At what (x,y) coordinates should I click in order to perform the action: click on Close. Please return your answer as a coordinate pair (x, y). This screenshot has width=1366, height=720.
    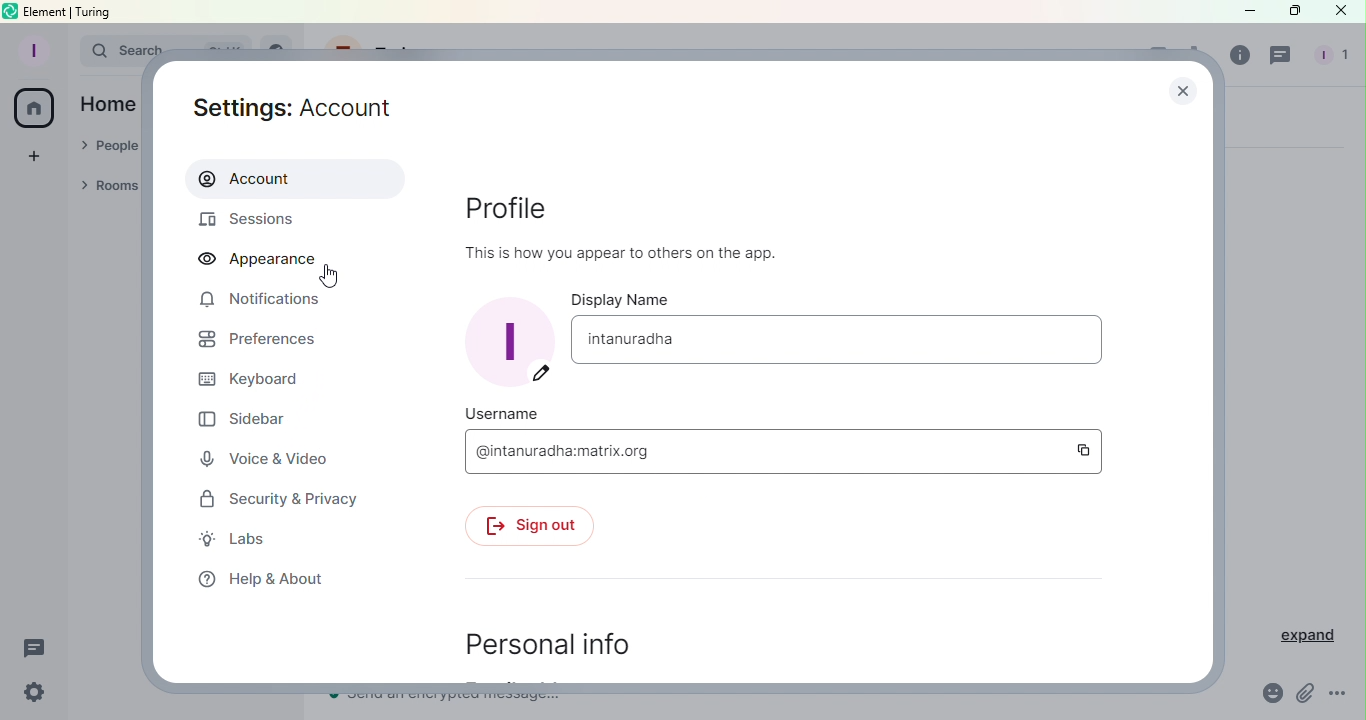
    Looking at the image, I should click on (1184, 90).